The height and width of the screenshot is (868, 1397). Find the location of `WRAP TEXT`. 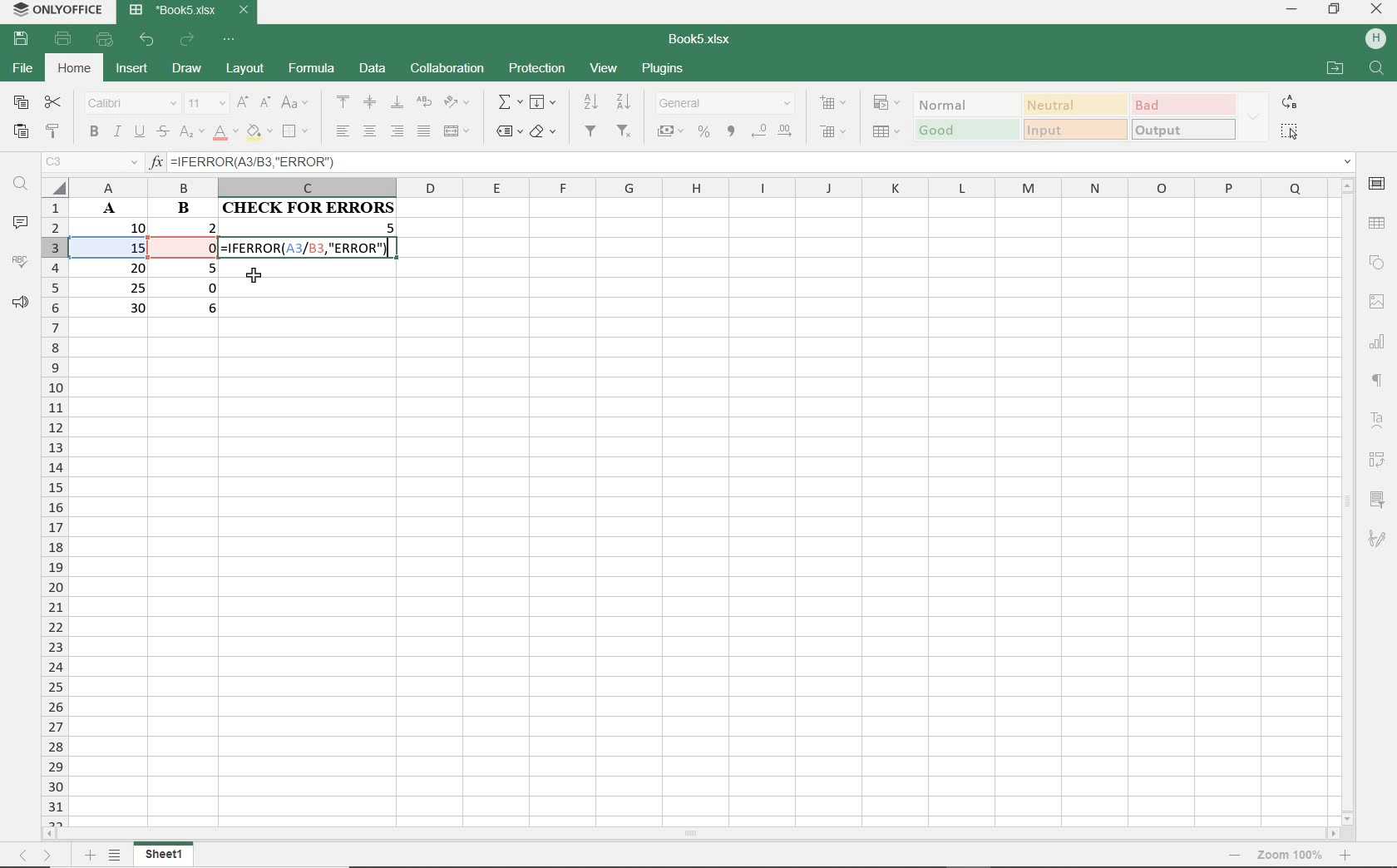

WRAP TEXT is located at coordinates (423, 103).